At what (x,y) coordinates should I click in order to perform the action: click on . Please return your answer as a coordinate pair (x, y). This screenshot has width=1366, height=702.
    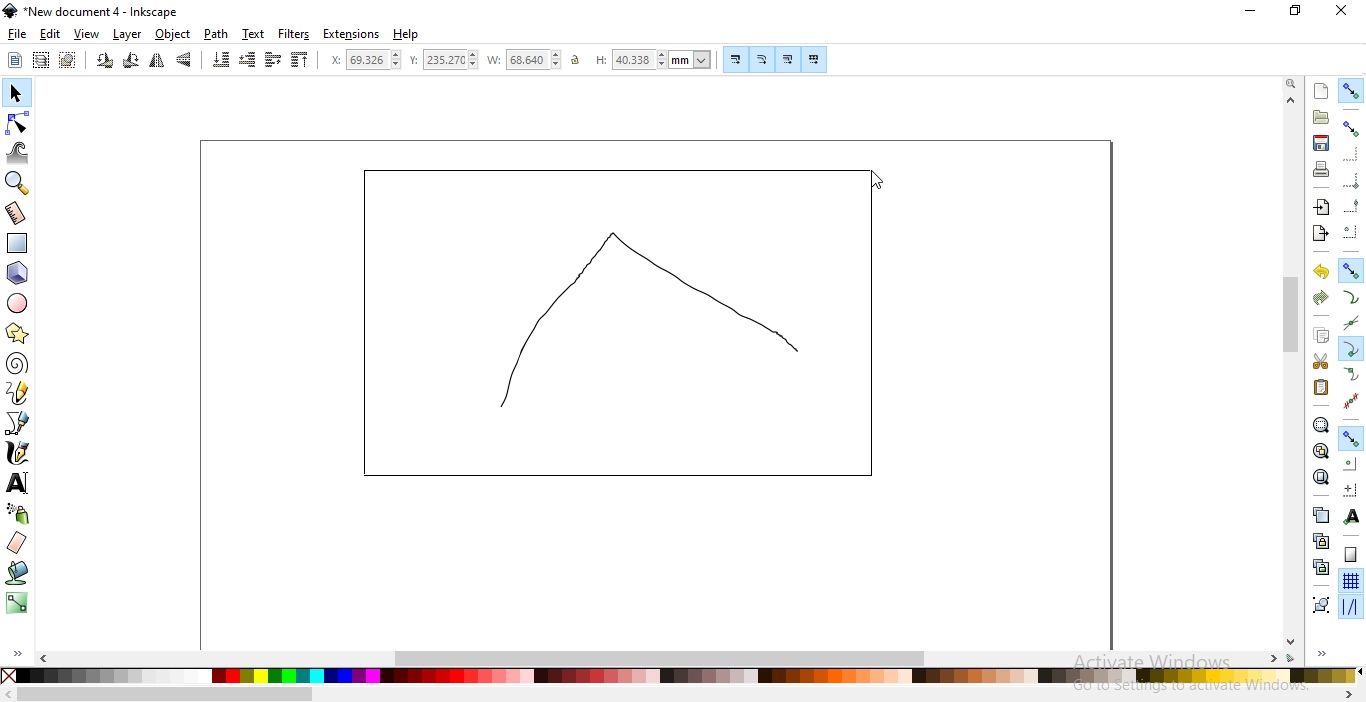
    Looking at the image, I should click on (737, 59).